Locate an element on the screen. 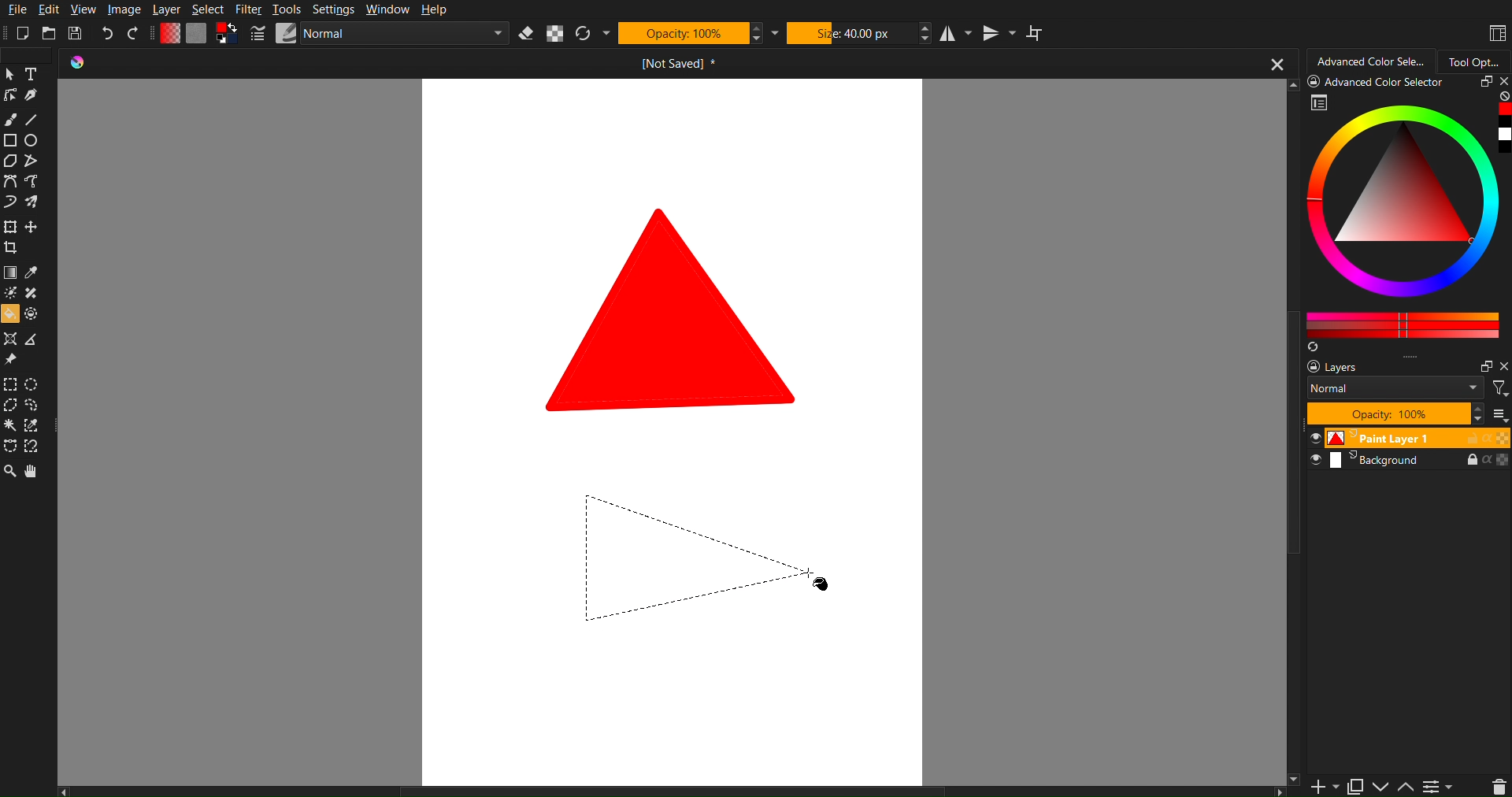  Wraparound is located at coordinates (1037, 33).